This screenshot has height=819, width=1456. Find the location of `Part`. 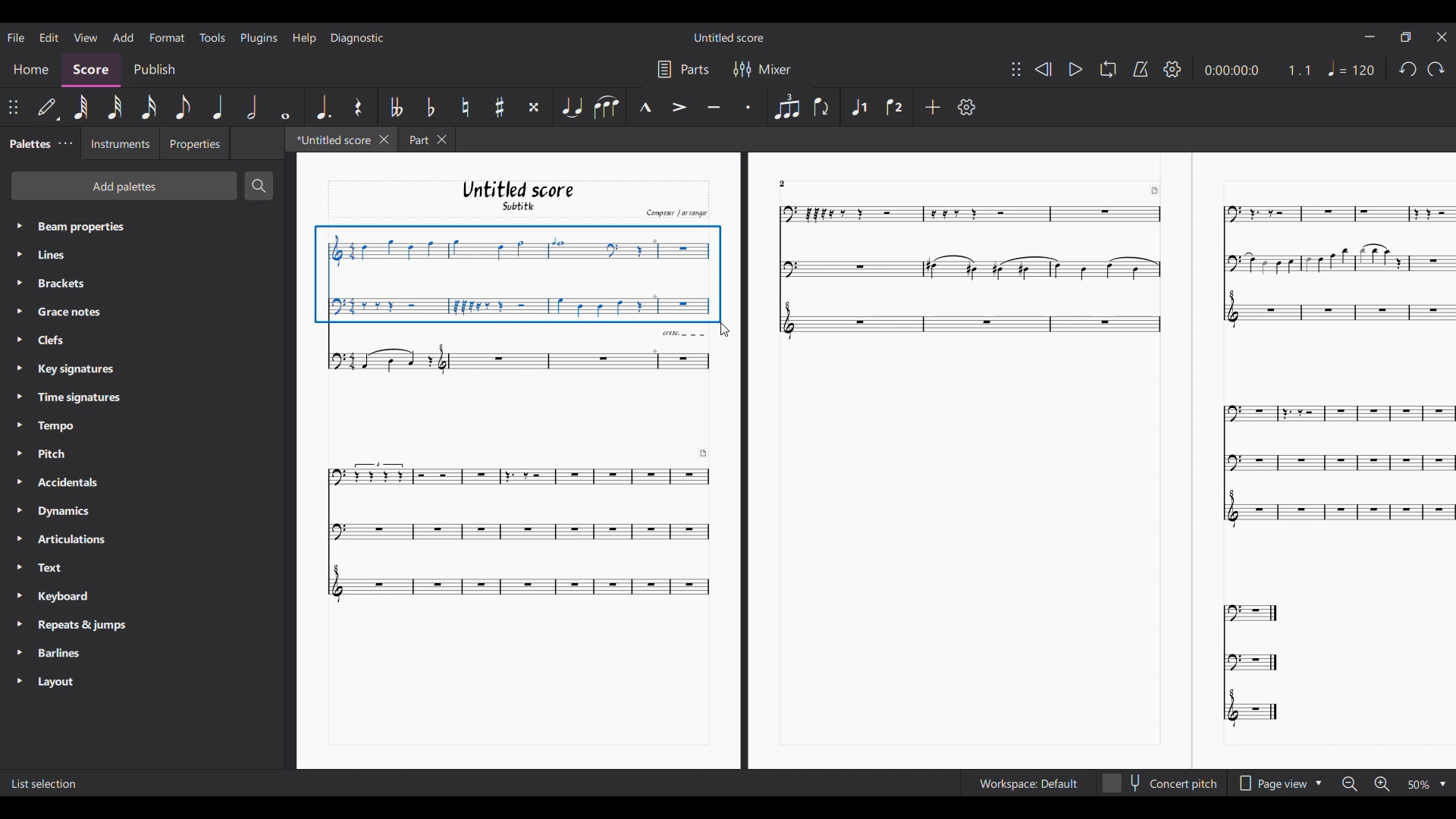

Part is located at coordinates (416, 139).